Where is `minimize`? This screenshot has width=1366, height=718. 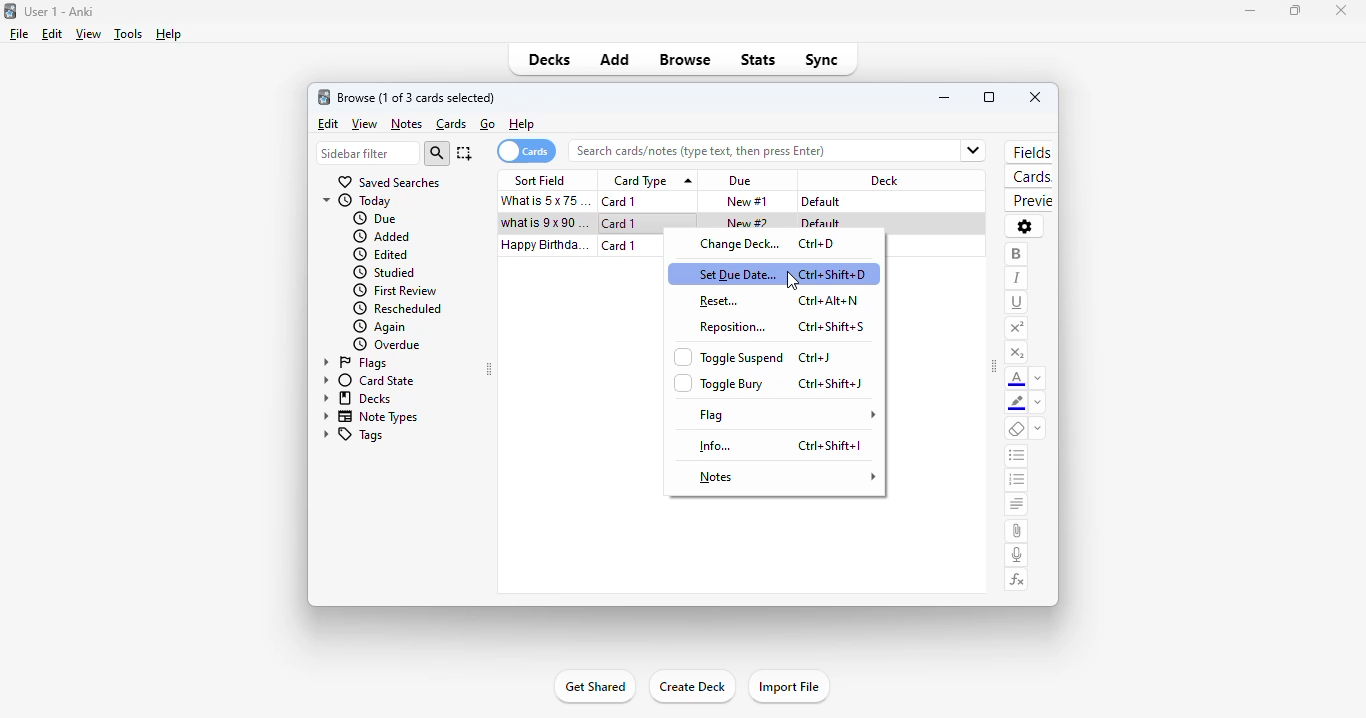
minimize is located at coordinates (946, 98).